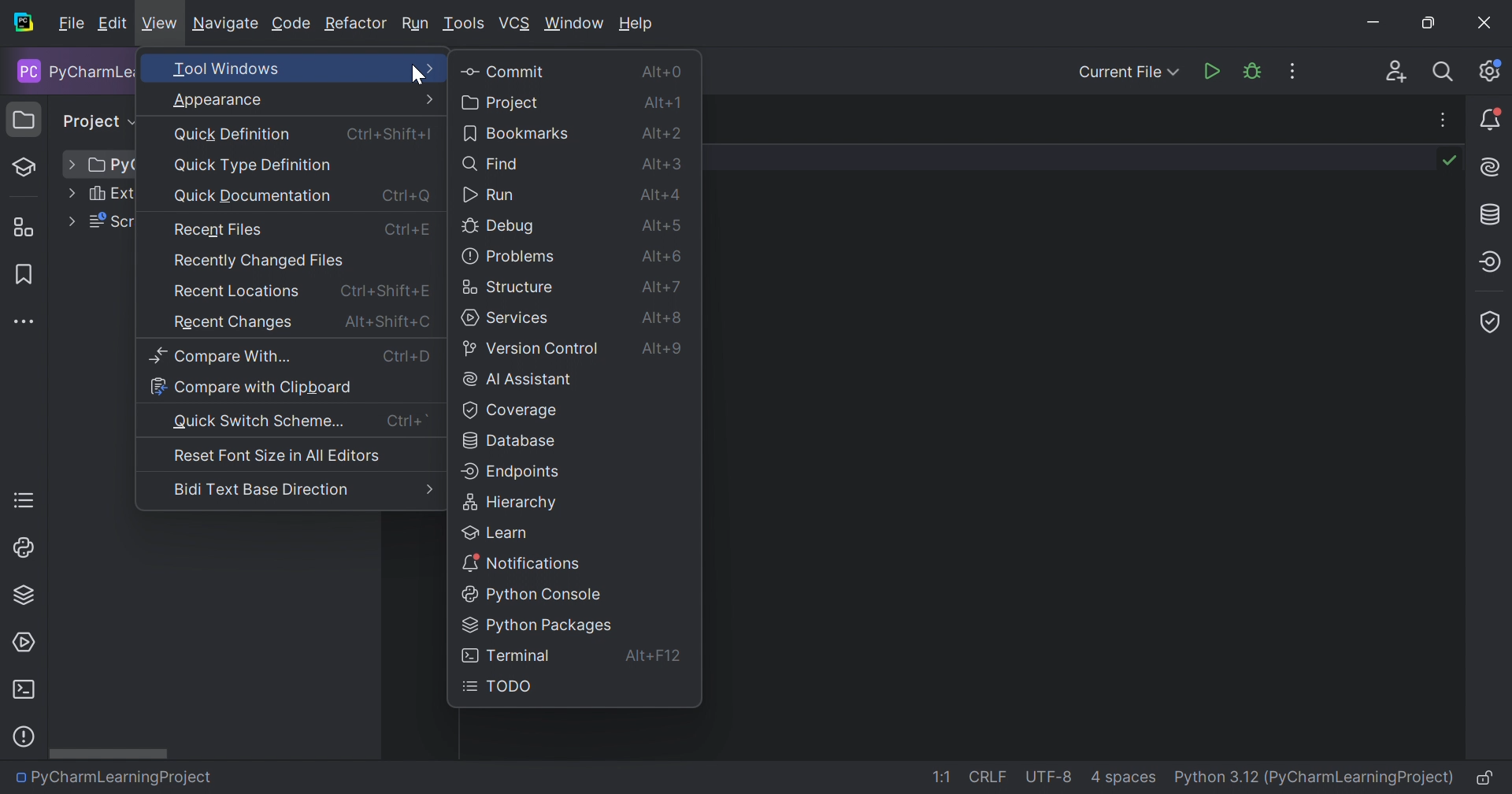  Describe the element at coordinates (27, 595) in the screenshot. I see `Python Packages` at that location.